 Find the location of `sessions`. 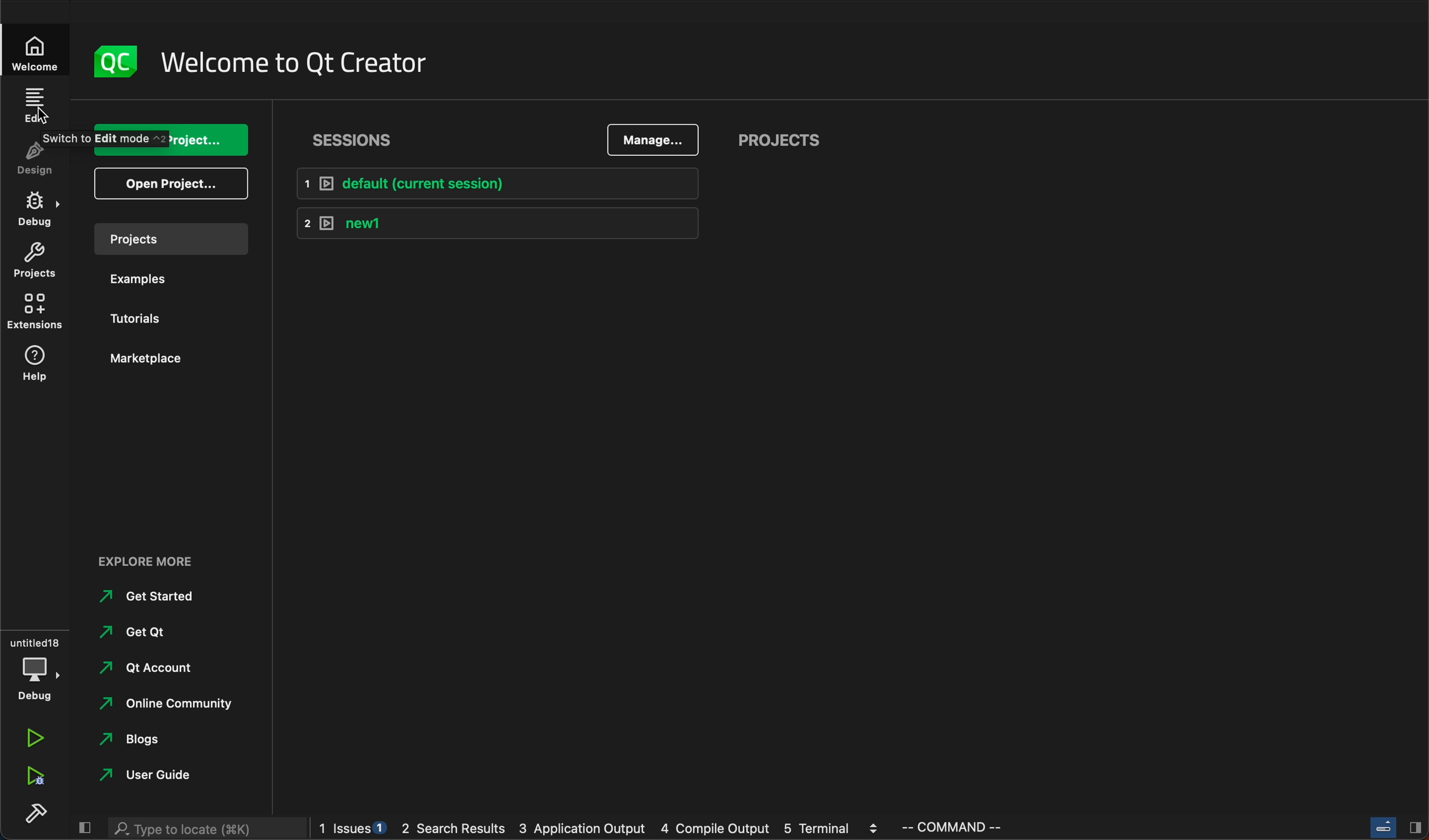

sessions is located at coordinates (350, 140).